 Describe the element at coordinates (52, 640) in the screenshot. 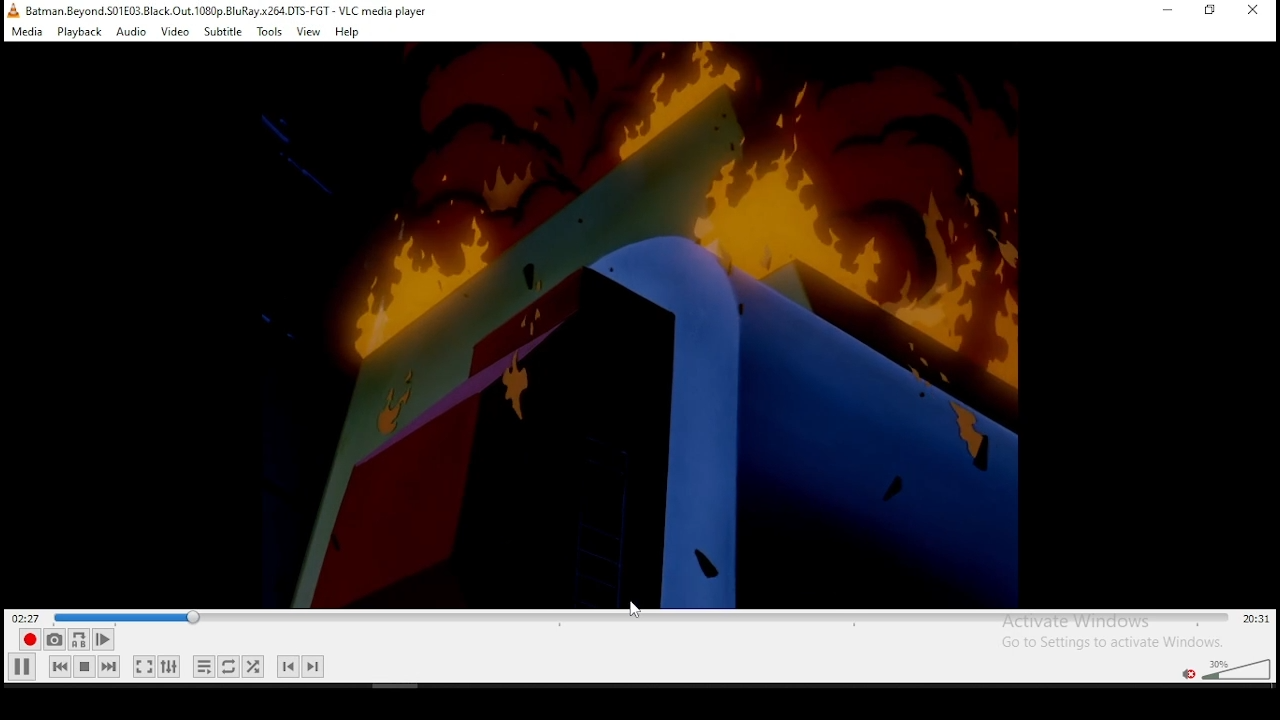

I see `take a snapshot` at that location.